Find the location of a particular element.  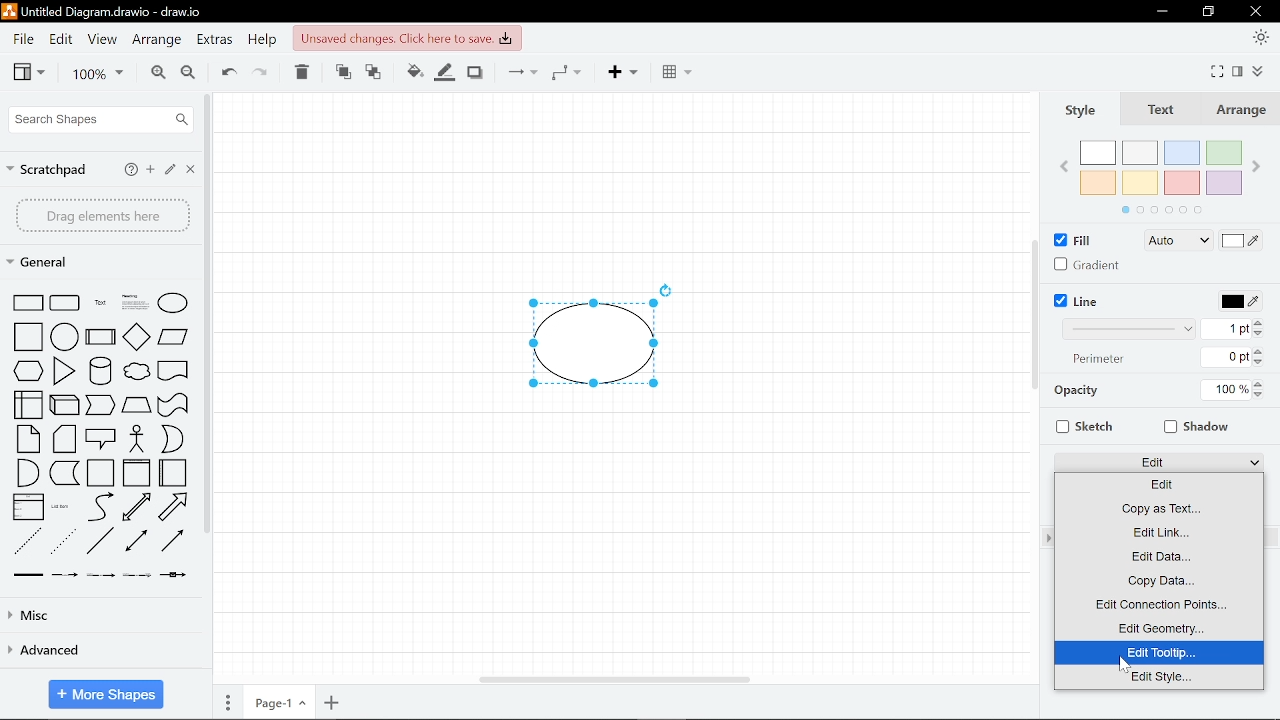

Fill color is located at coordinates (1242, 242).